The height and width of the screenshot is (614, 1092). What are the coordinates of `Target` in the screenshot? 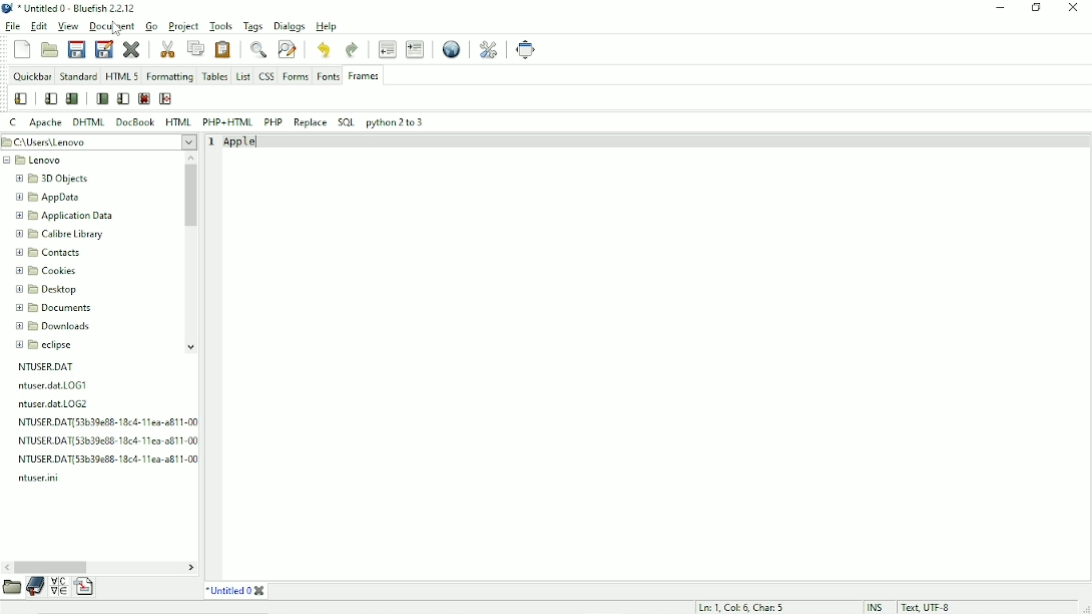 It's located at (168, 99).